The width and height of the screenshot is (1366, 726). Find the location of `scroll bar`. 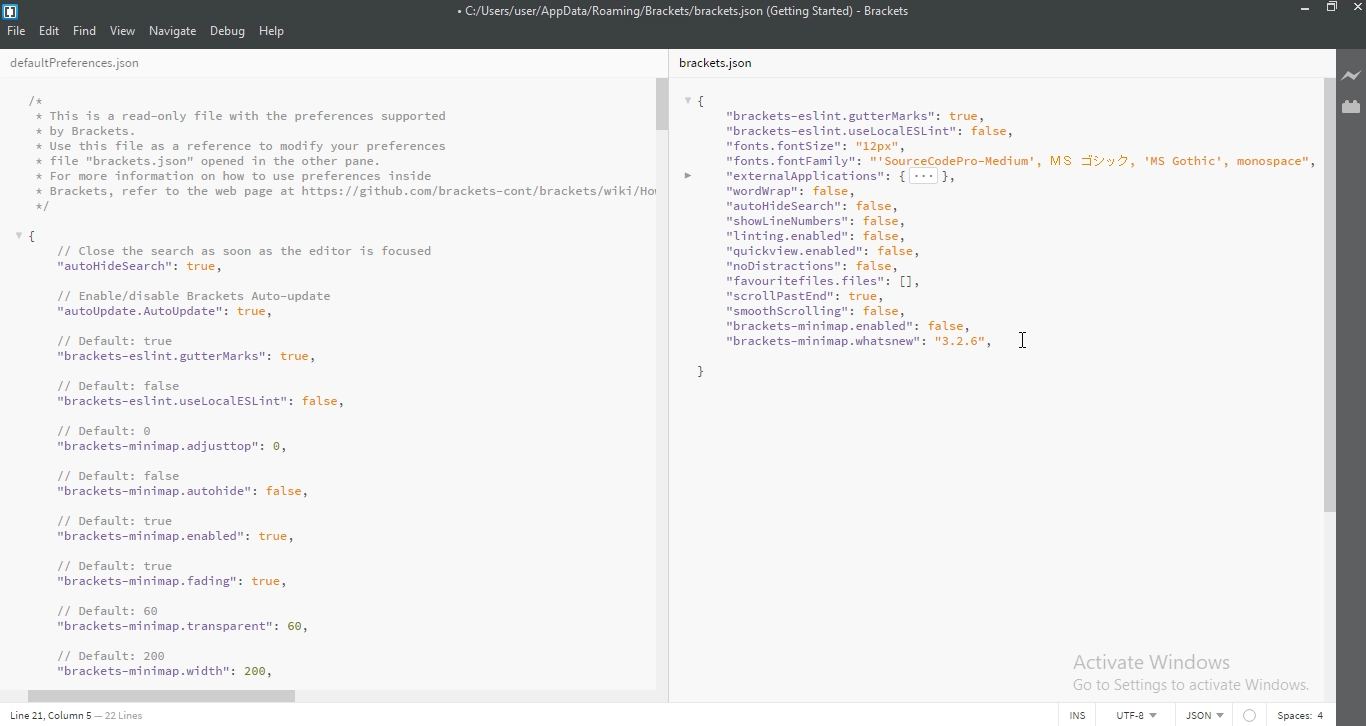

scroll bar is located at coordinates (663, 104).